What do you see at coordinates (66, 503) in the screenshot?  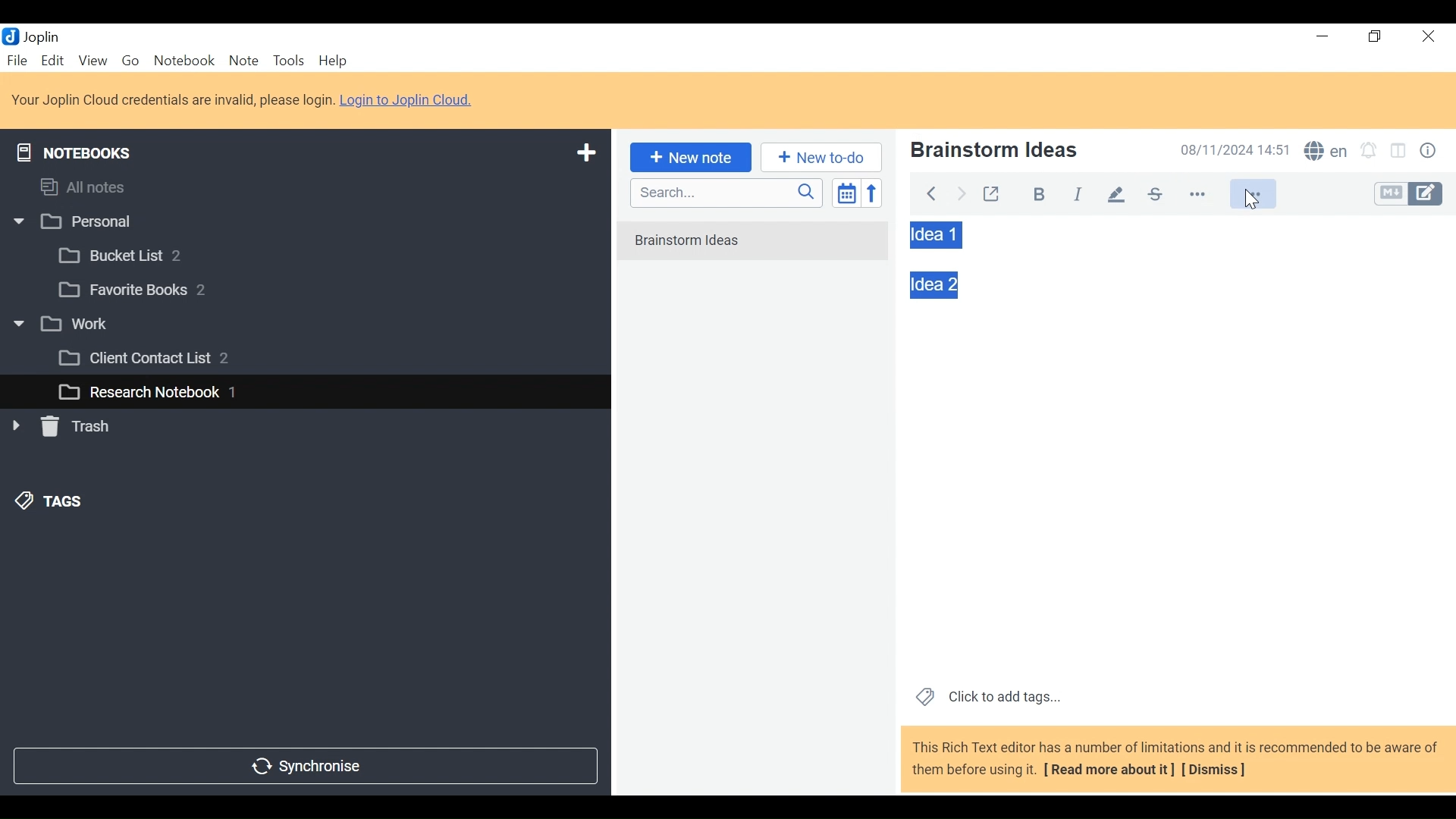 I see `&) TAGS` at bounding box center [66, 503].